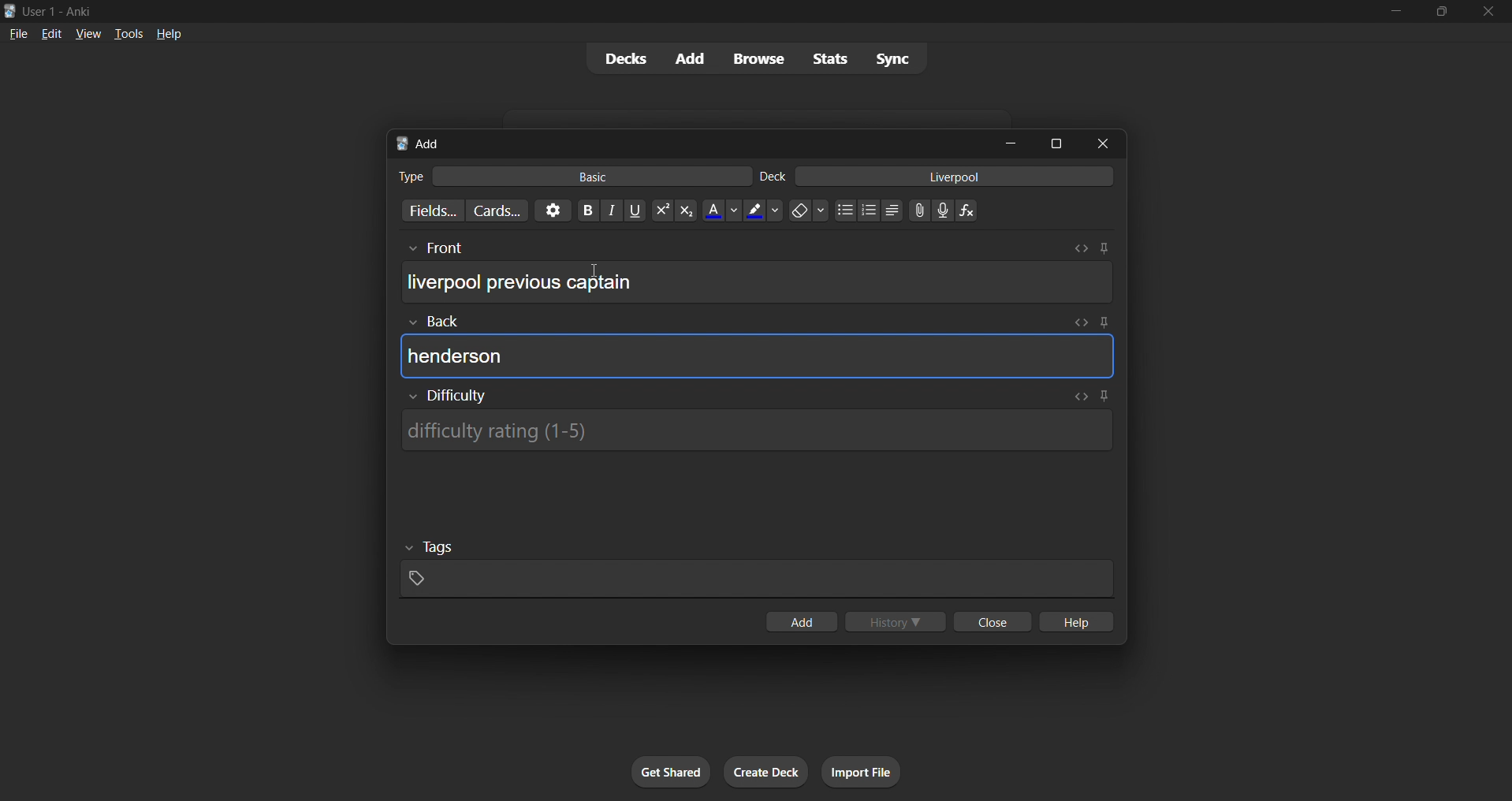 The image size is (1512, 801). I want to click on hlep, so click(1078, 623).